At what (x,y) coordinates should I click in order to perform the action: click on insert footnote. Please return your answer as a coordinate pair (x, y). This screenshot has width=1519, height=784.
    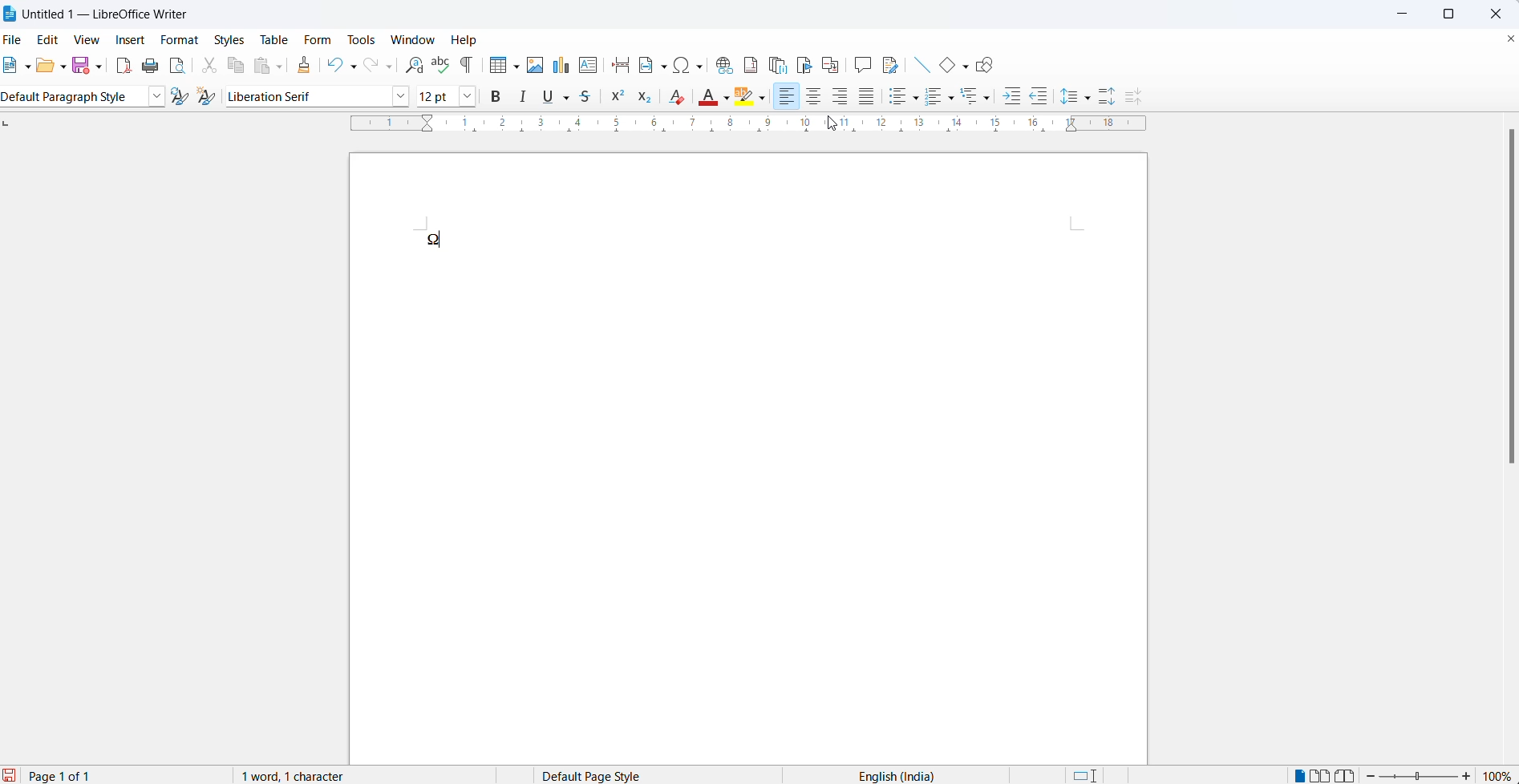
    Looking at the image, I should click on (750, 61).